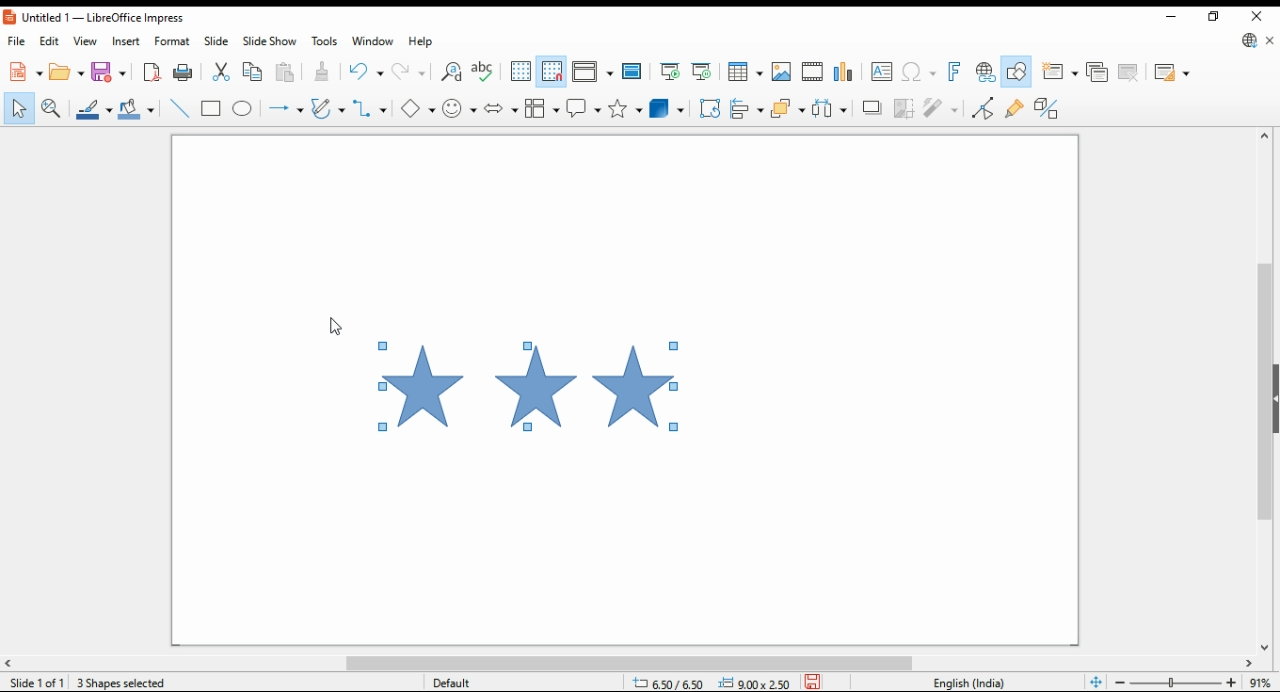 Image resolution: width=1280 pixels, height=692 pixels. I want to click on stars and banners, so click(624, 108).